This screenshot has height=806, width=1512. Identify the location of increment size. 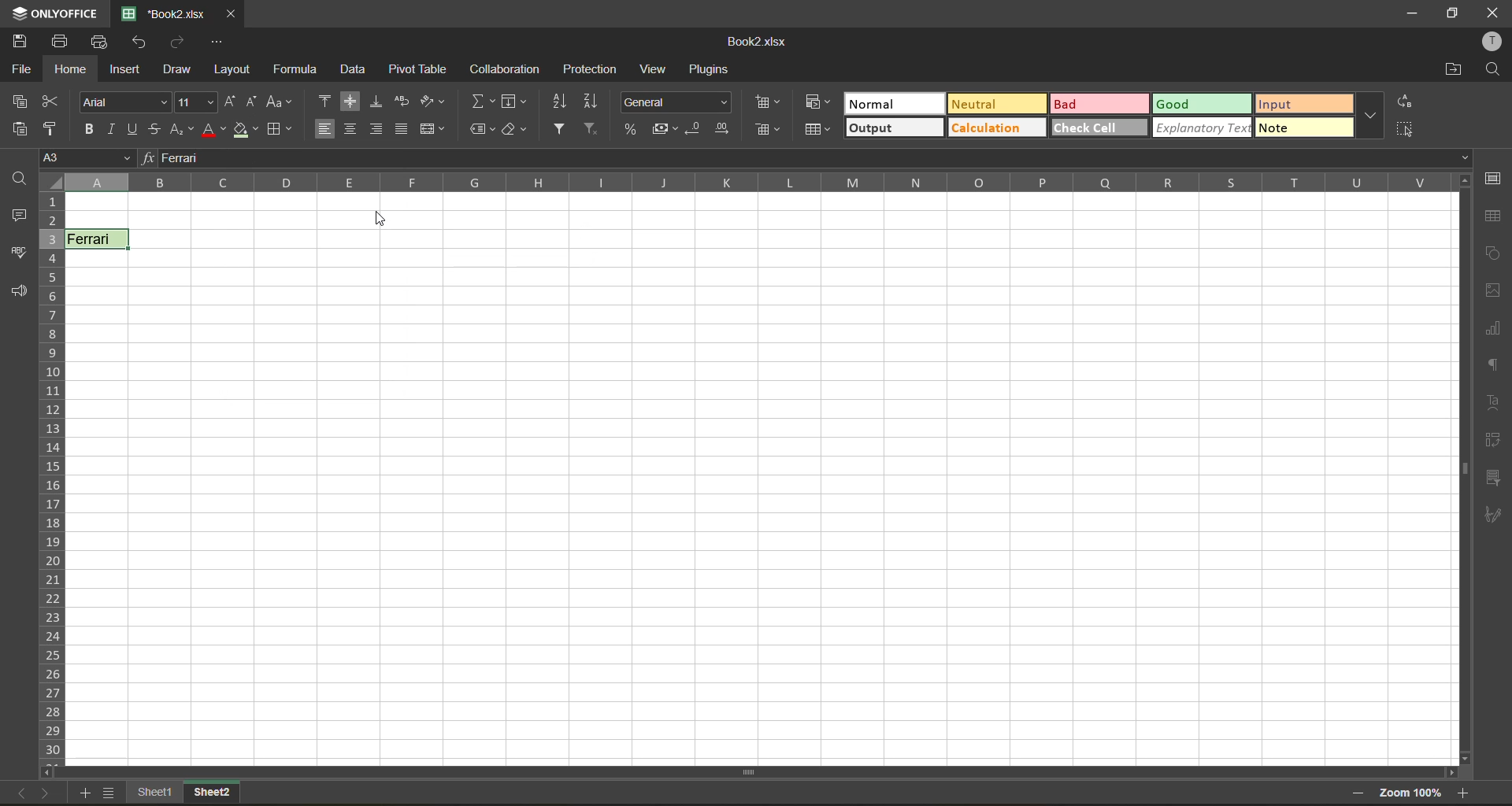
(228, 102).